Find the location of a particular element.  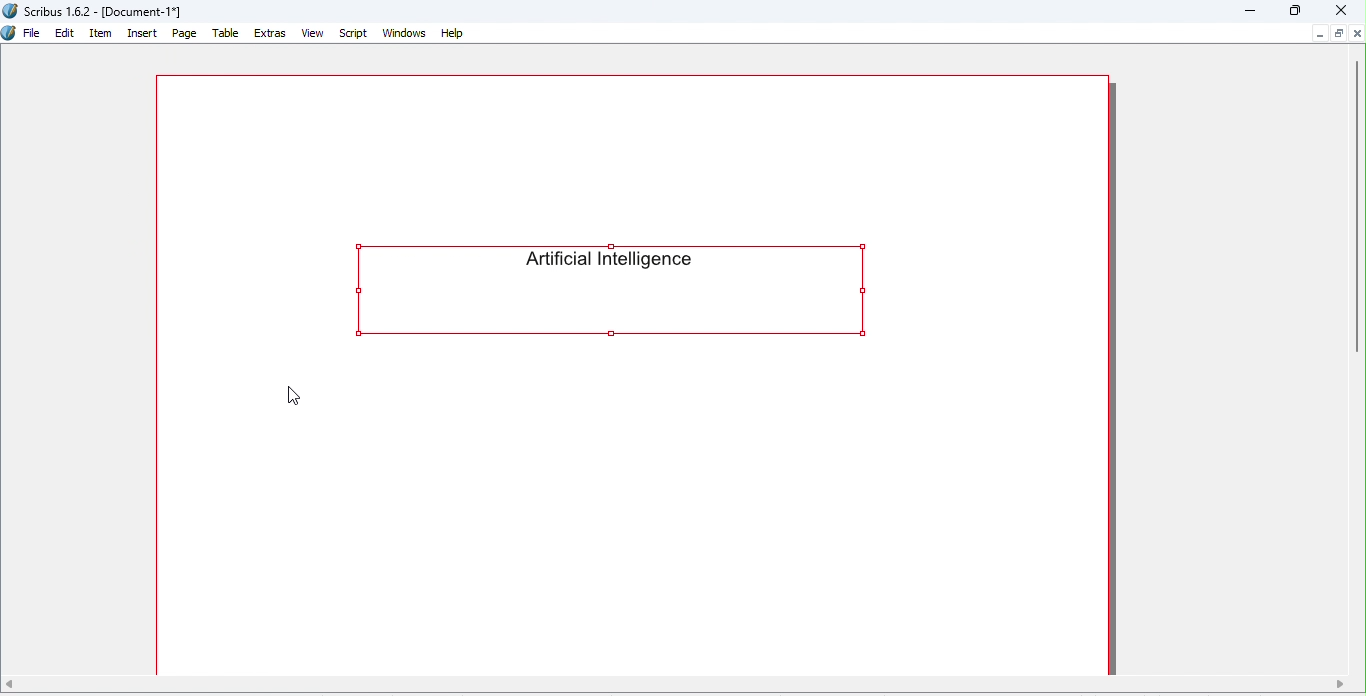

Page is located at coordinates (186, 33).